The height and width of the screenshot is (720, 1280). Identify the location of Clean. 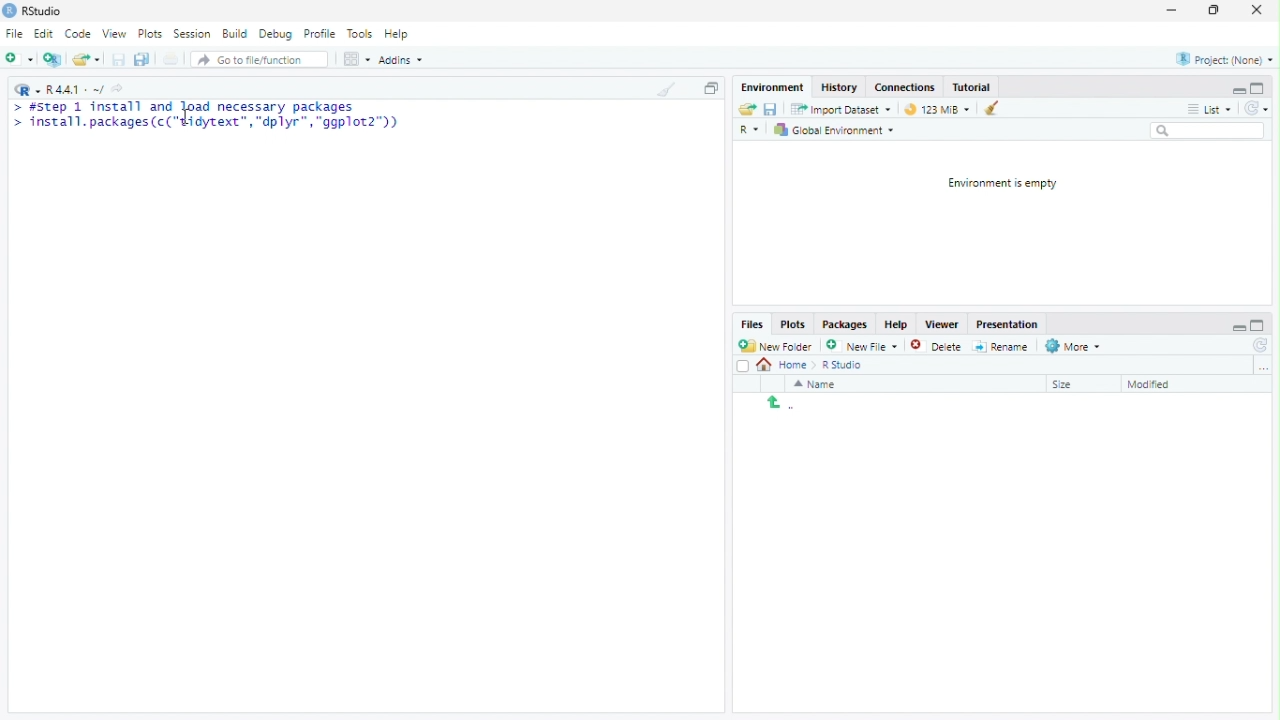
(665, 88).